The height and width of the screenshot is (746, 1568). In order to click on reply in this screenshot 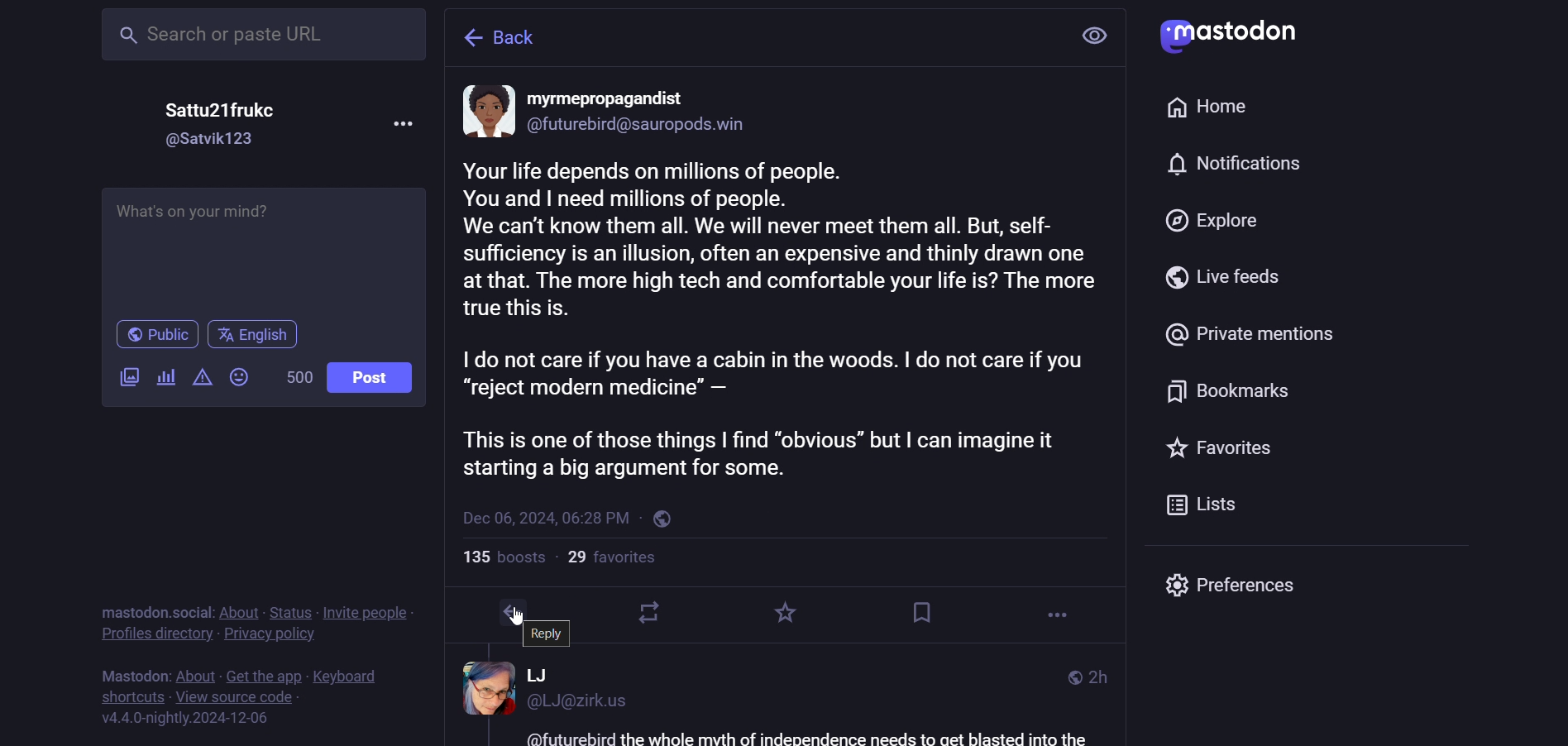, I will do `click(548, 635)`.